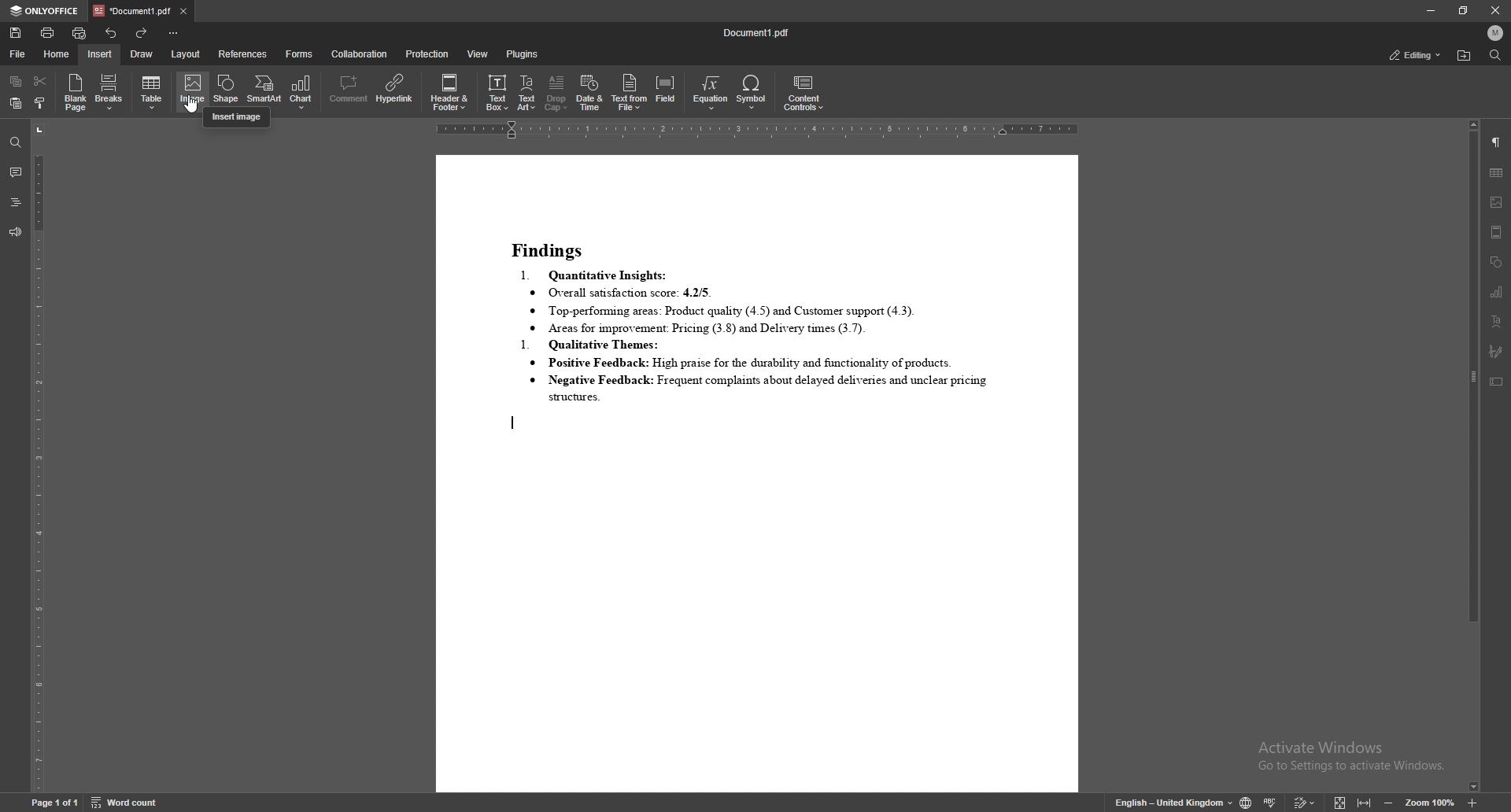  I want to click on cursor, so click(192, 107).